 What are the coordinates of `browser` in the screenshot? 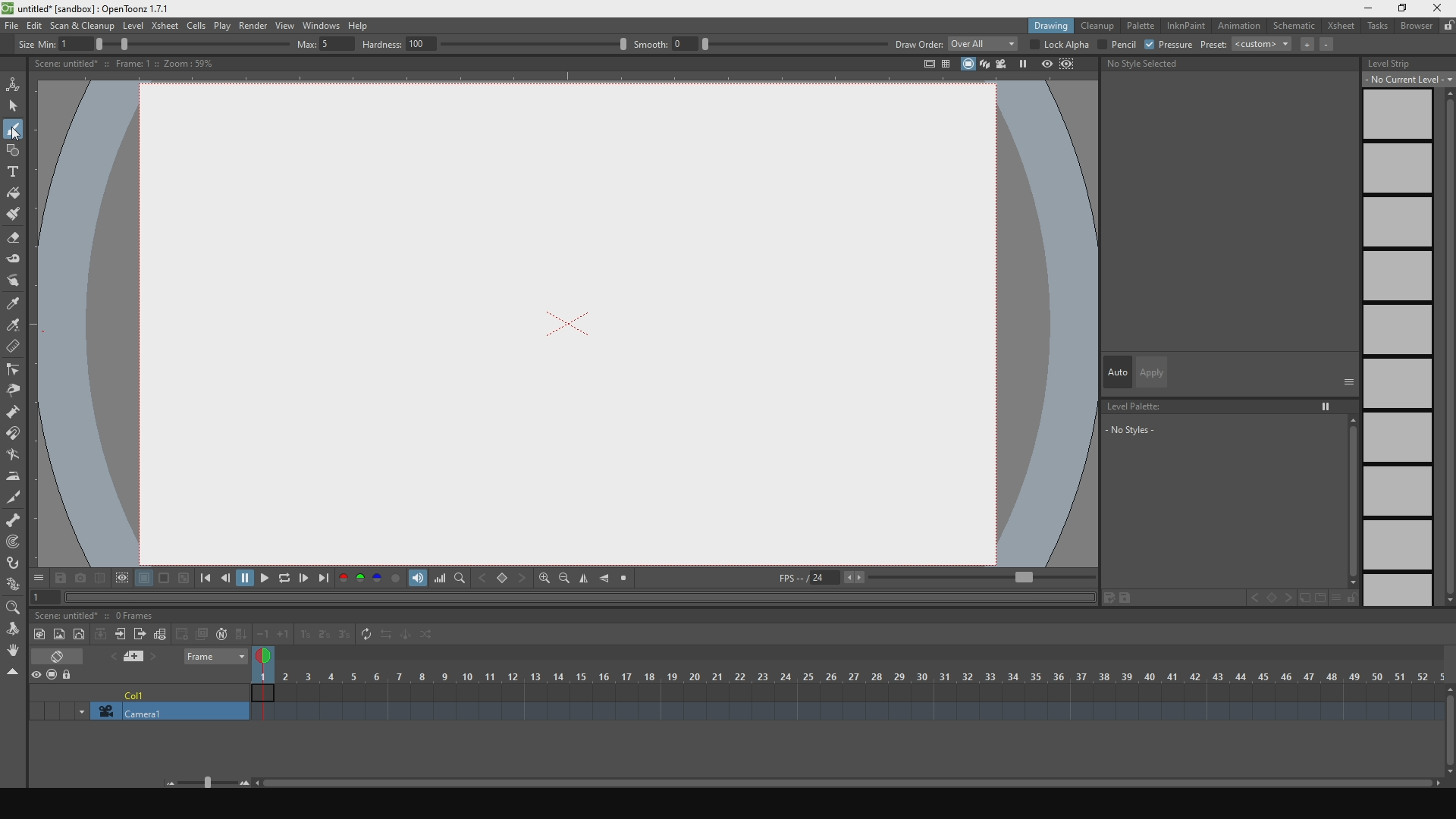 It's located at (1417, 29).